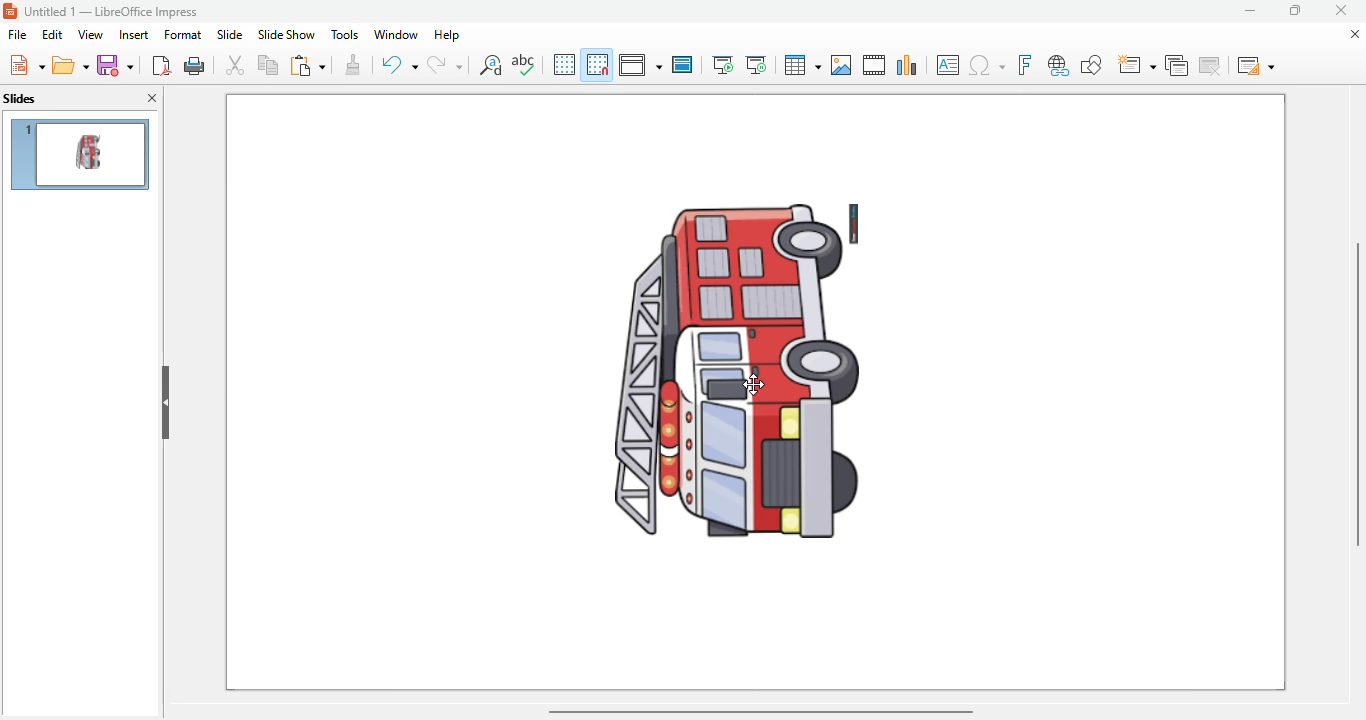 The height and width of the screenshot is (720, 1366). Describe the element at coordinates (20, 99) in the screenshot. I see `slides` at that location.